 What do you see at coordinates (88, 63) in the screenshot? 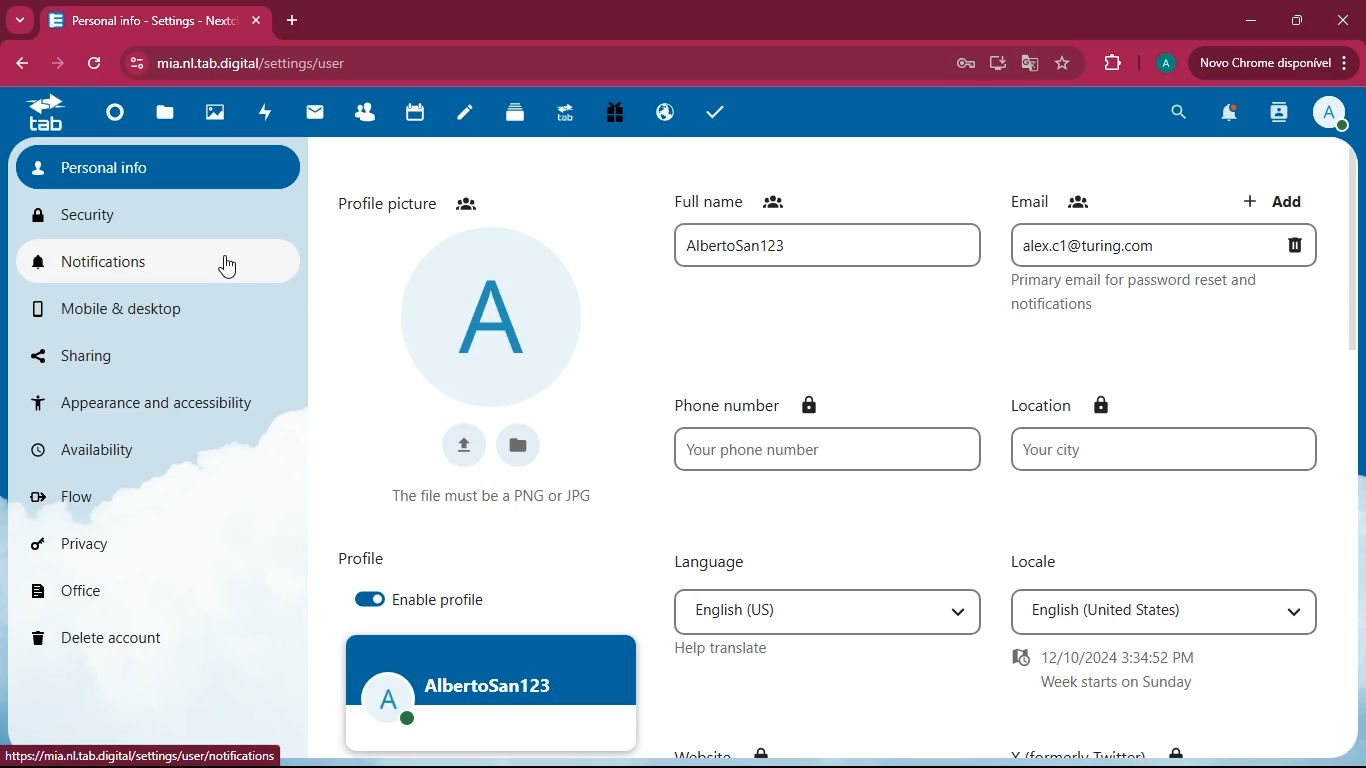
I see `refresh` at bounding box center [88, 63].